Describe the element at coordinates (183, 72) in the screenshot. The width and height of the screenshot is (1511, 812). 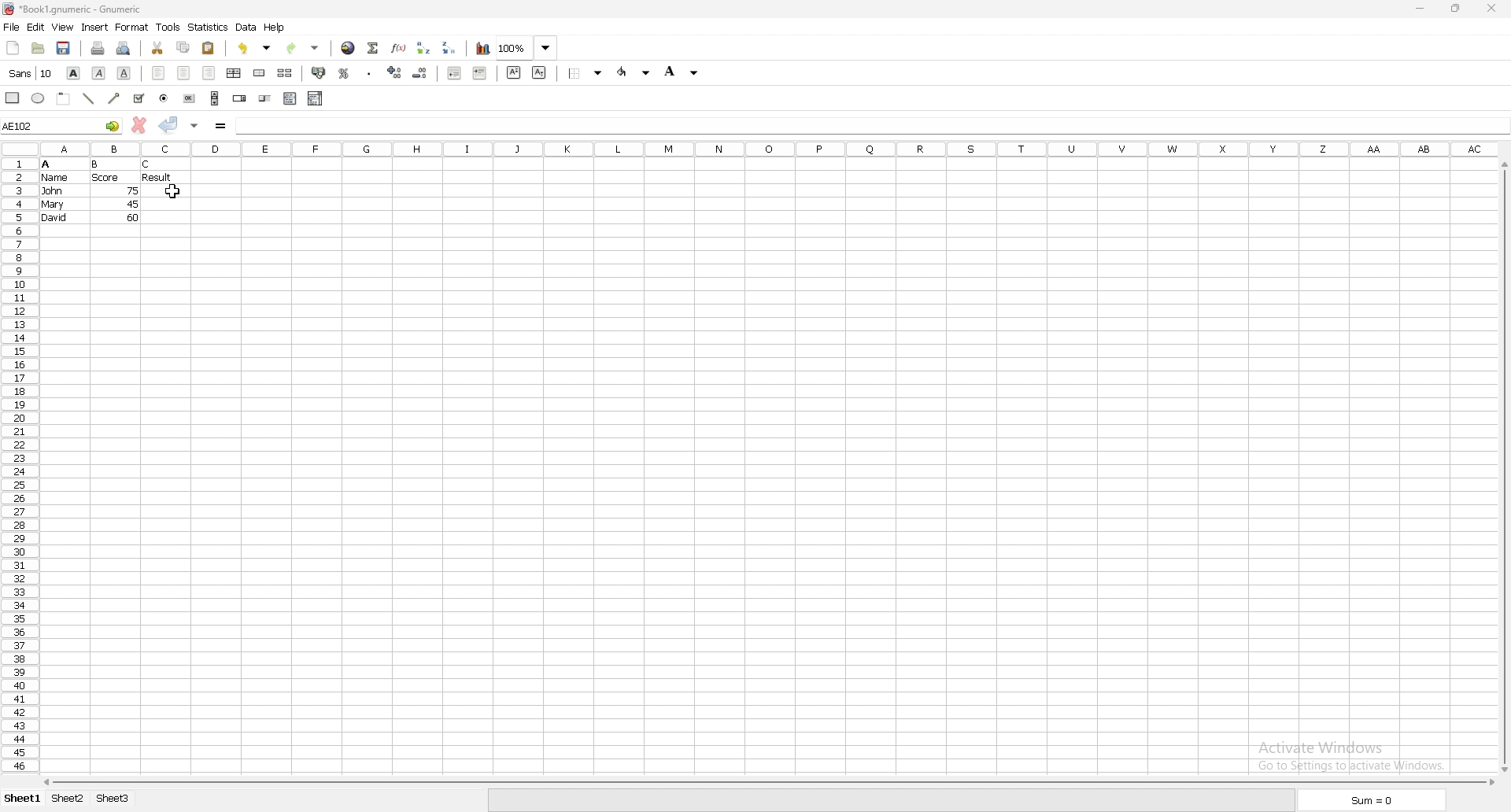
I see `center align` at that location.